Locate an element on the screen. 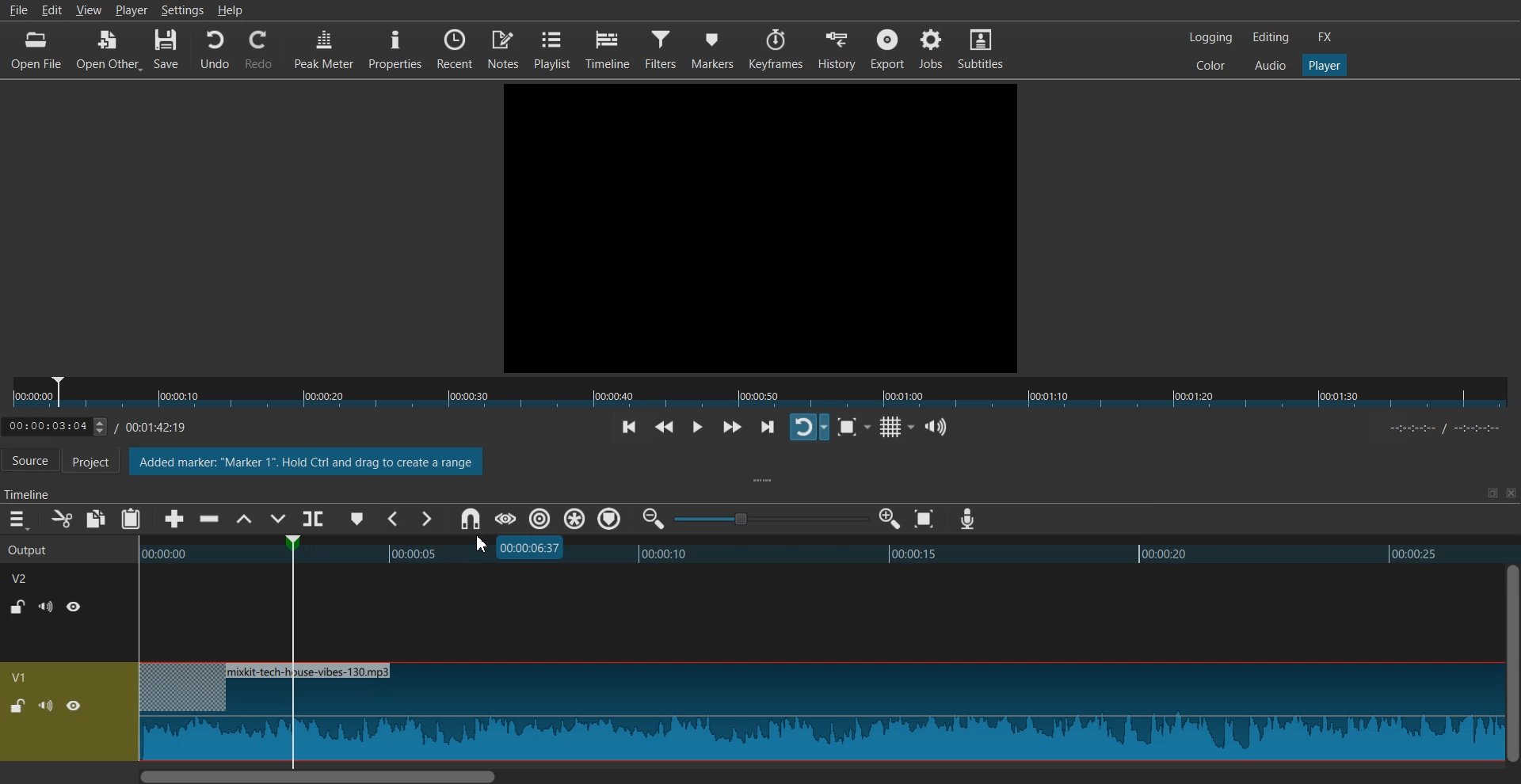 The width and height of the screenshot is (1521, 784). Add marker is located at coordinates (357, 519).